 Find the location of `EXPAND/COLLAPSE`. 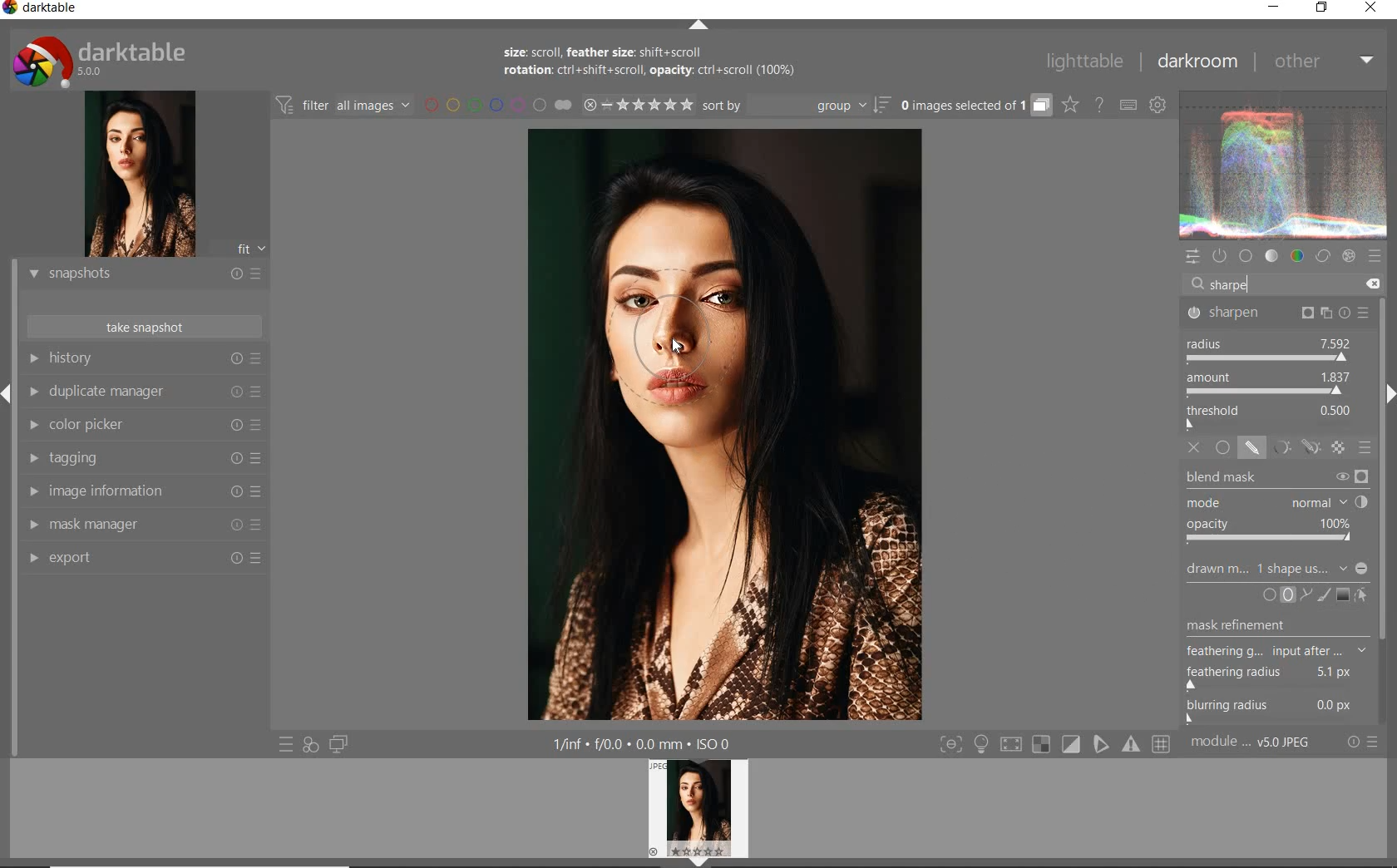

EXPAND/COLLAPSE is located at coordinates (696, 26).